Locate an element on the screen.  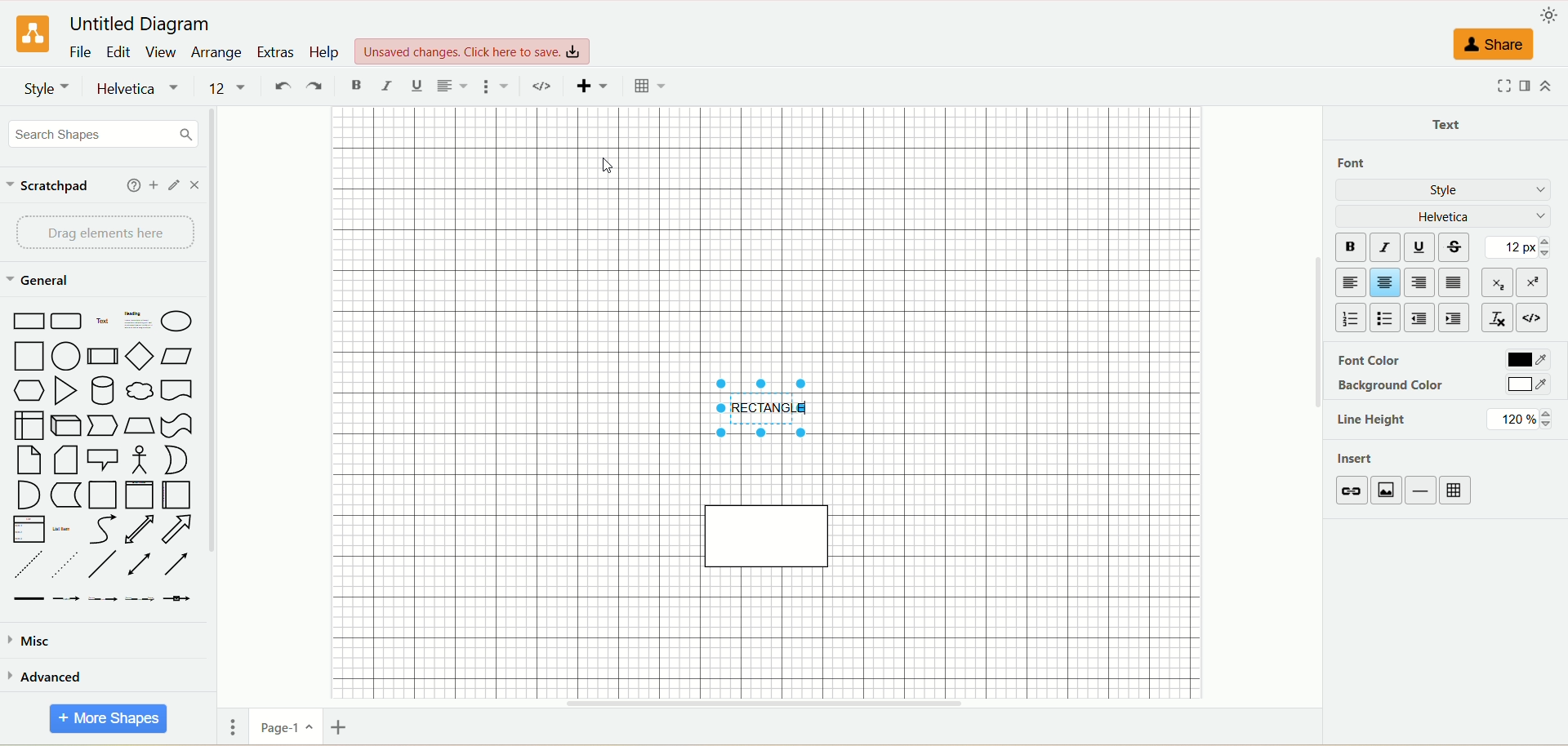
triangle is located at coordinates (67, 391).